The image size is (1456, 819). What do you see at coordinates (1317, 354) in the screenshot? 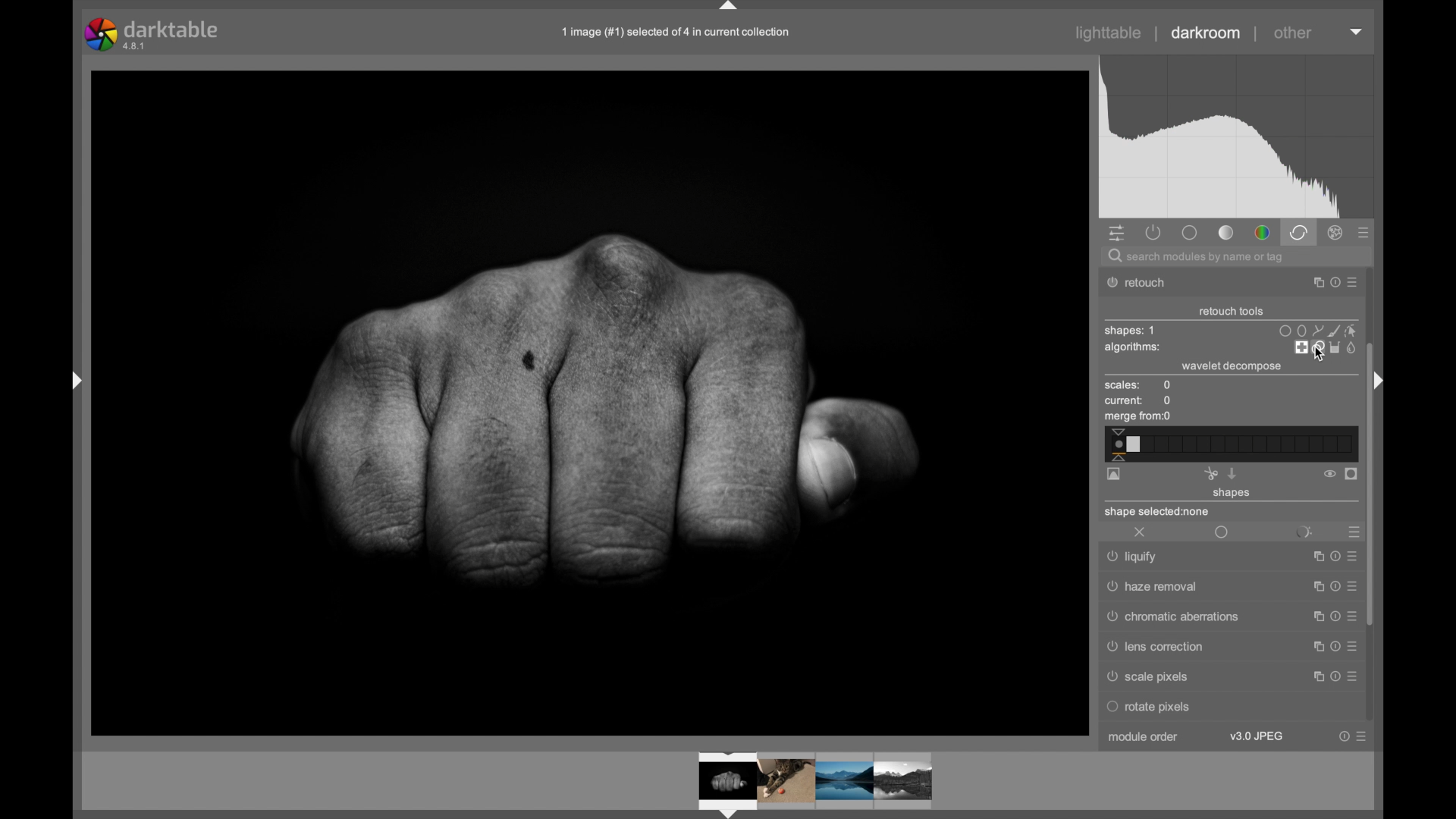
I see `cursor` at bounding box center [1317, 354].